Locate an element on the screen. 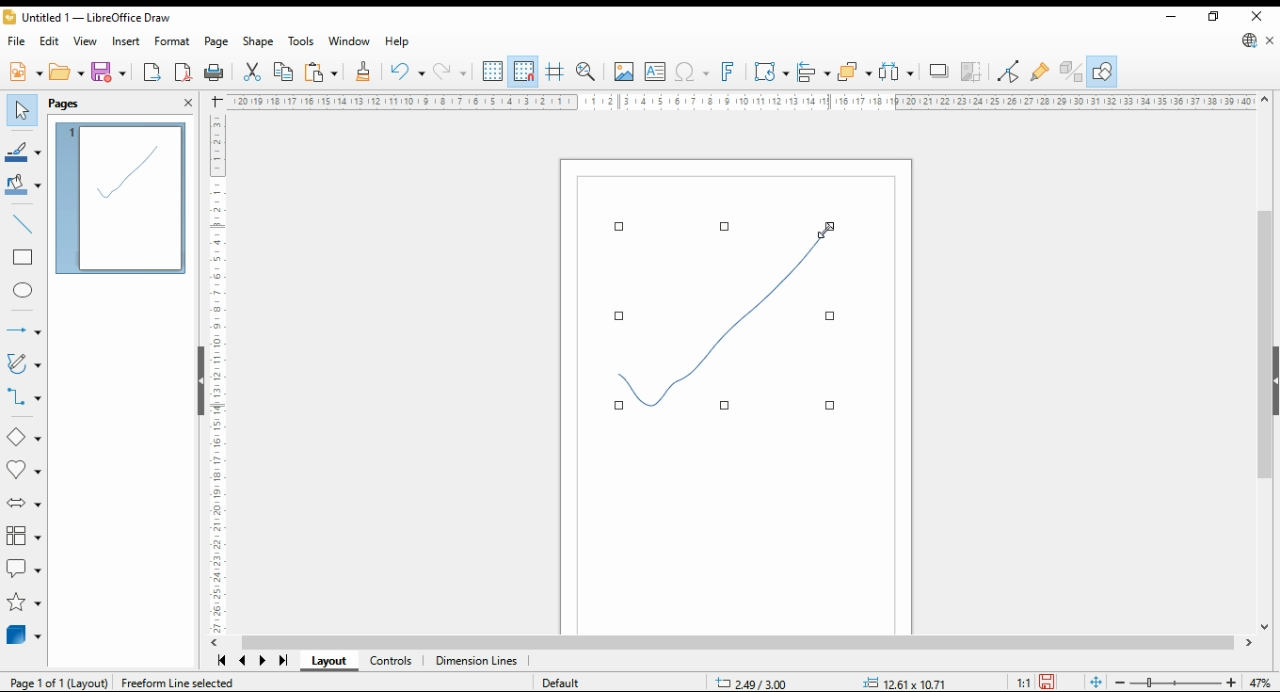 The width and height of the screenshot is (1280, 692). paste is located at coordinates (323, 71).